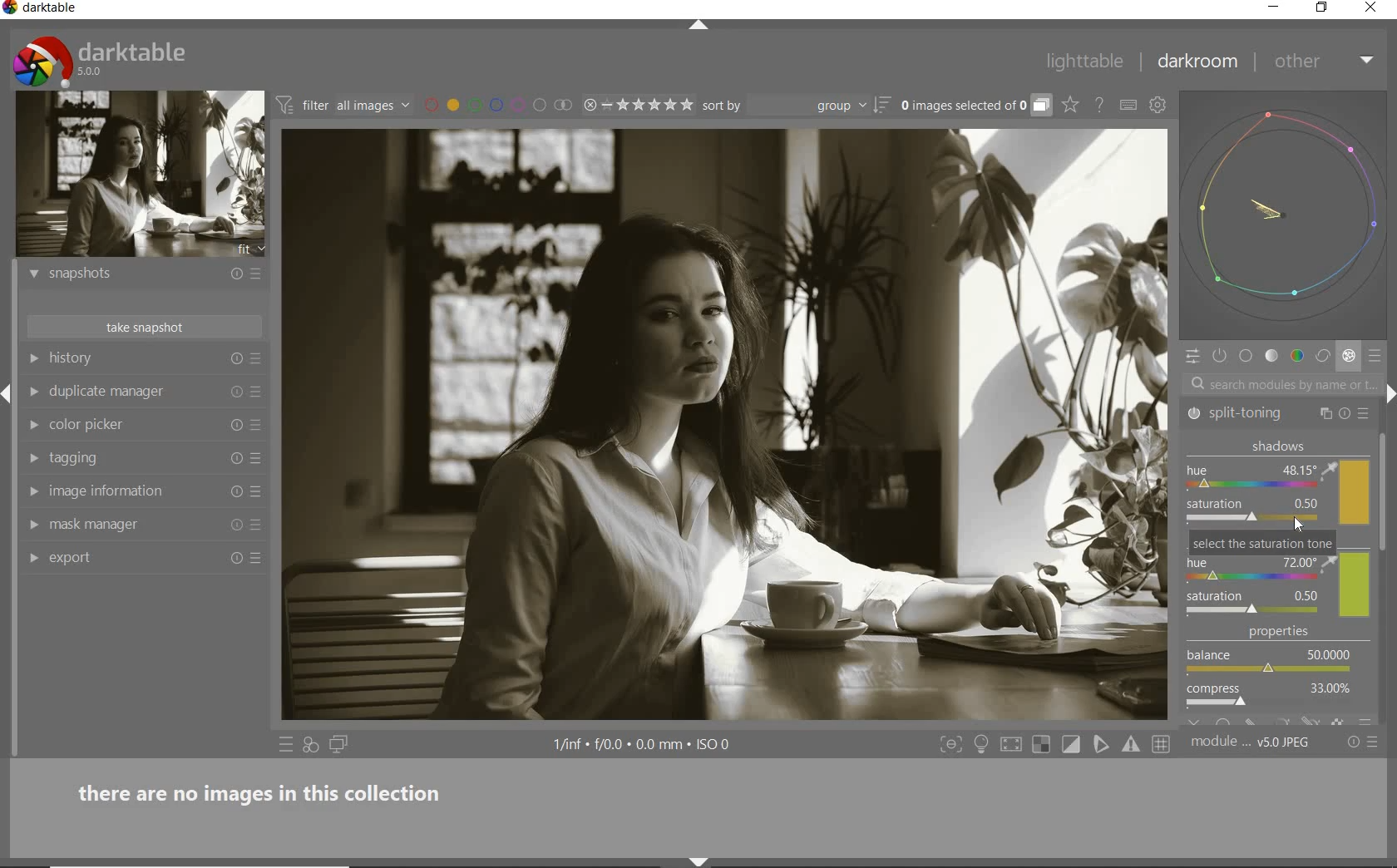 The height and width of the screenshot is (868, 1397). What do you see at coordinates (259, 558) in the screenshot?
I see `preset and preferences` at bounding box center [259, 558].